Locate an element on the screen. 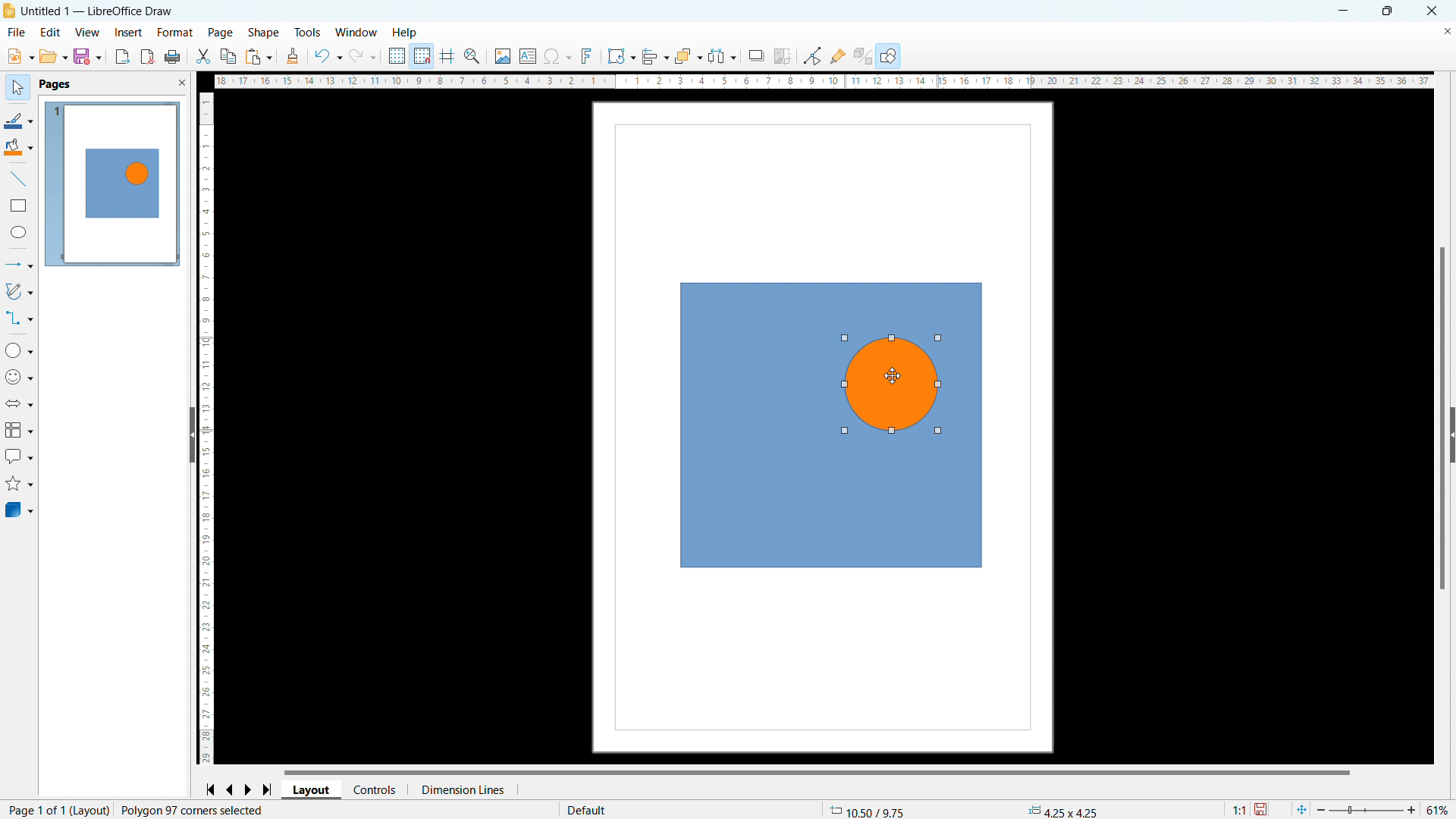 The height and width of the screenshot is (819, 1456). open is located at coordinates (20, 56).